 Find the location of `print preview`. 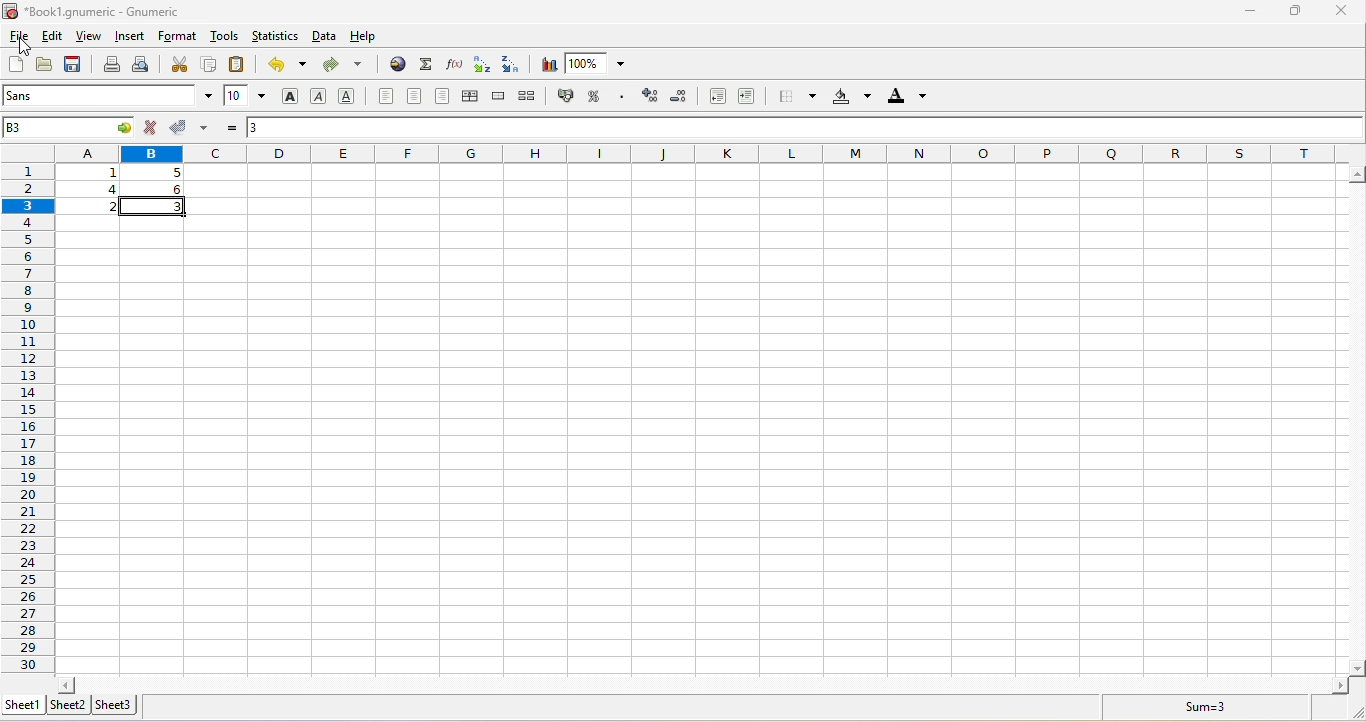

print preview is located at coordinates (143, 65).